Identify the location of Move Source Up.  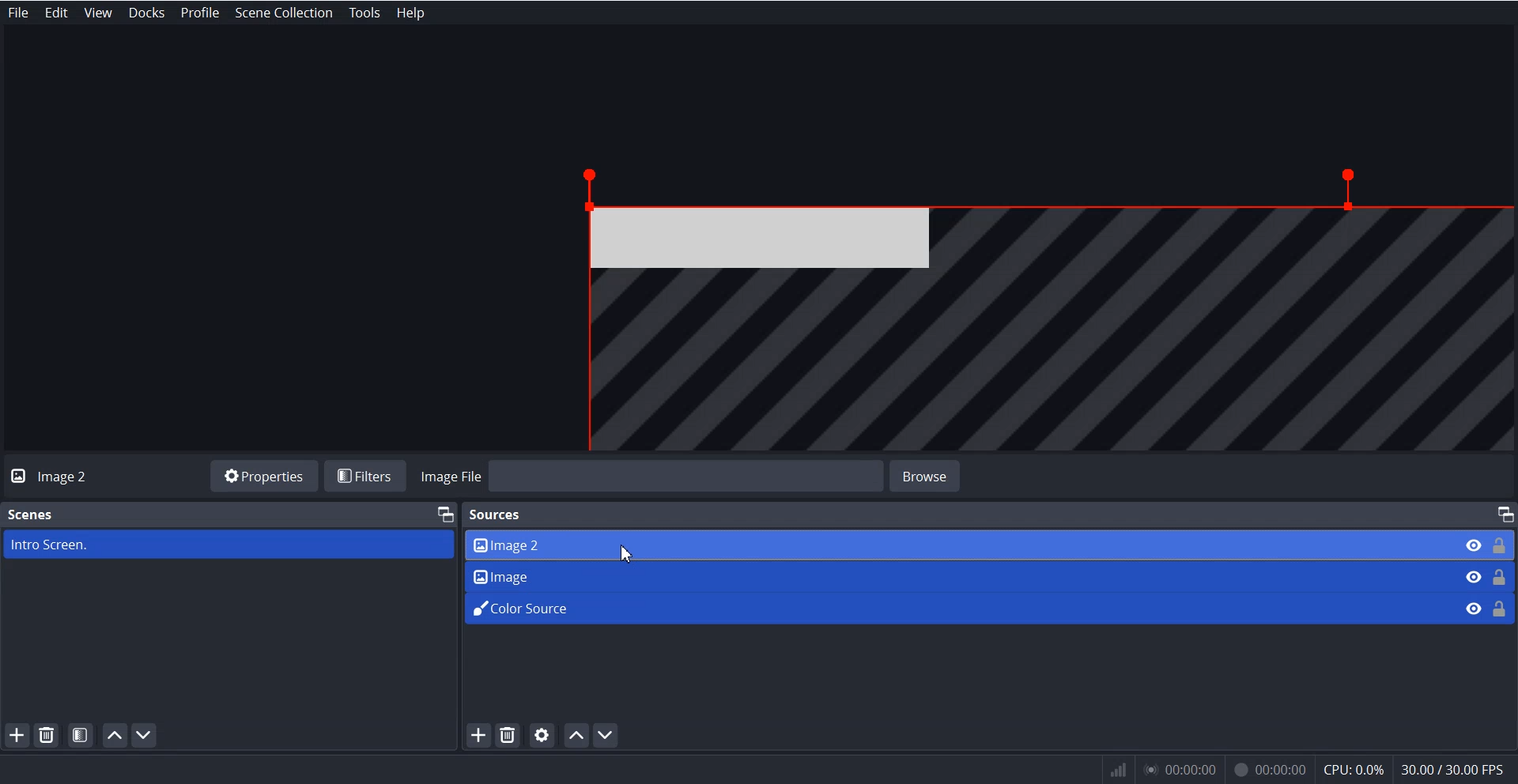
(576, 735).